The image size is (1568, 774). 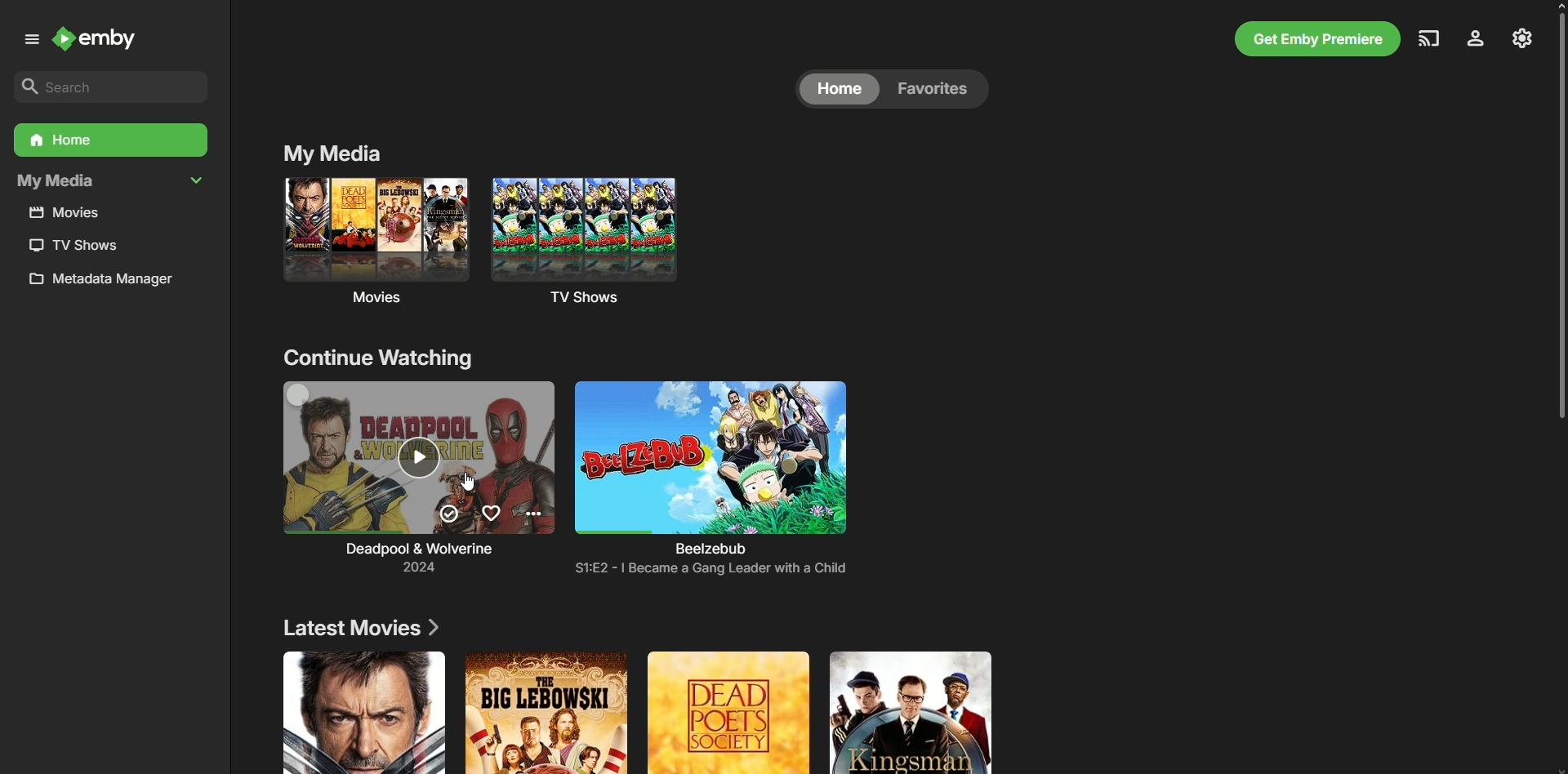 I want to click on Scroll, so click(x=1555, y=220).